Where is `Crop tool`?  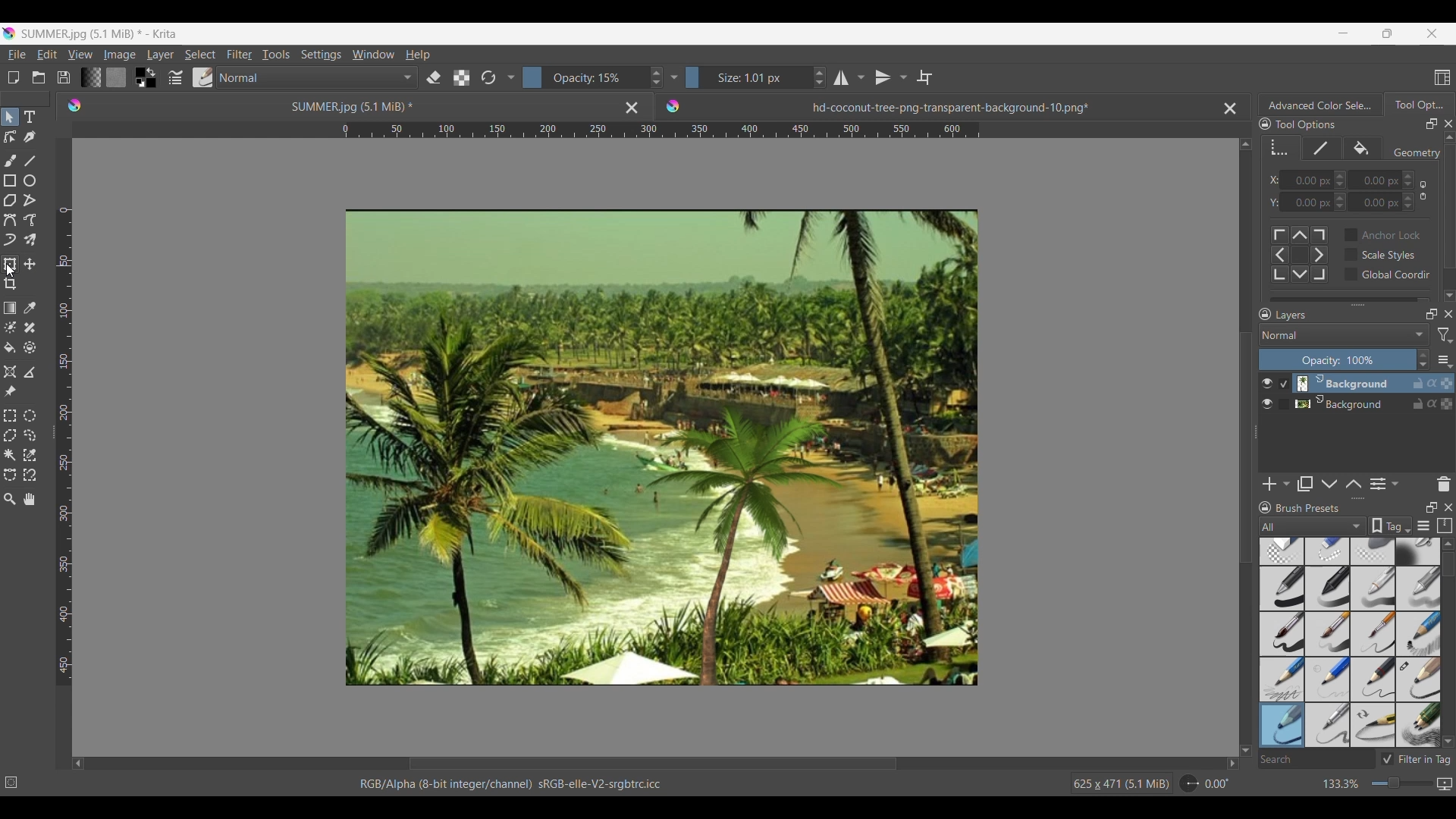
Crop tool is located at coordinates (10, 284).